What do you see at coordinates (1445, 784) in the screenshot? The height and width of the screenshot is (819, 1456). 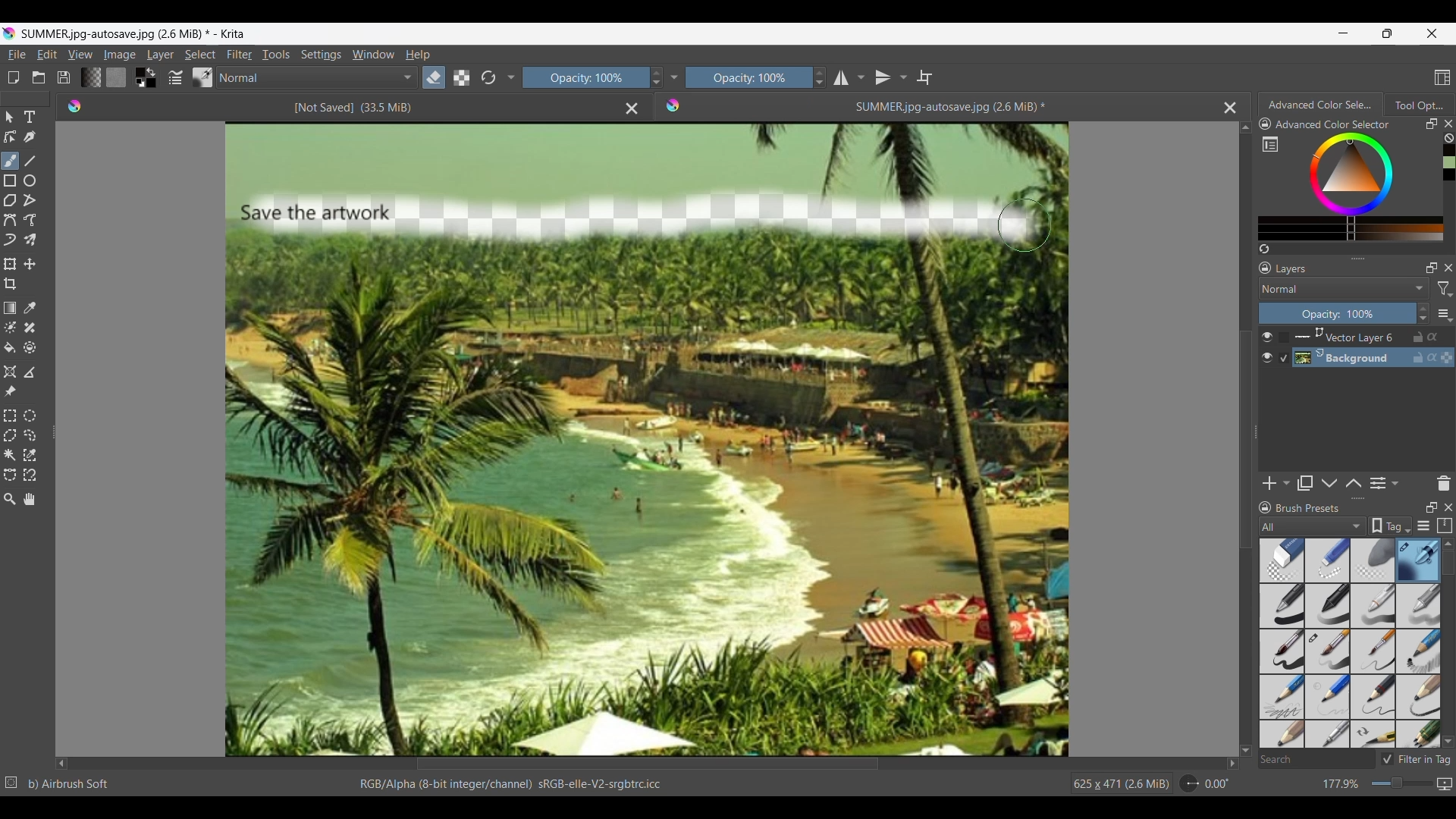 I see `Map displayed can vas size between pixel and print size` at bounding box center [1445, 784].